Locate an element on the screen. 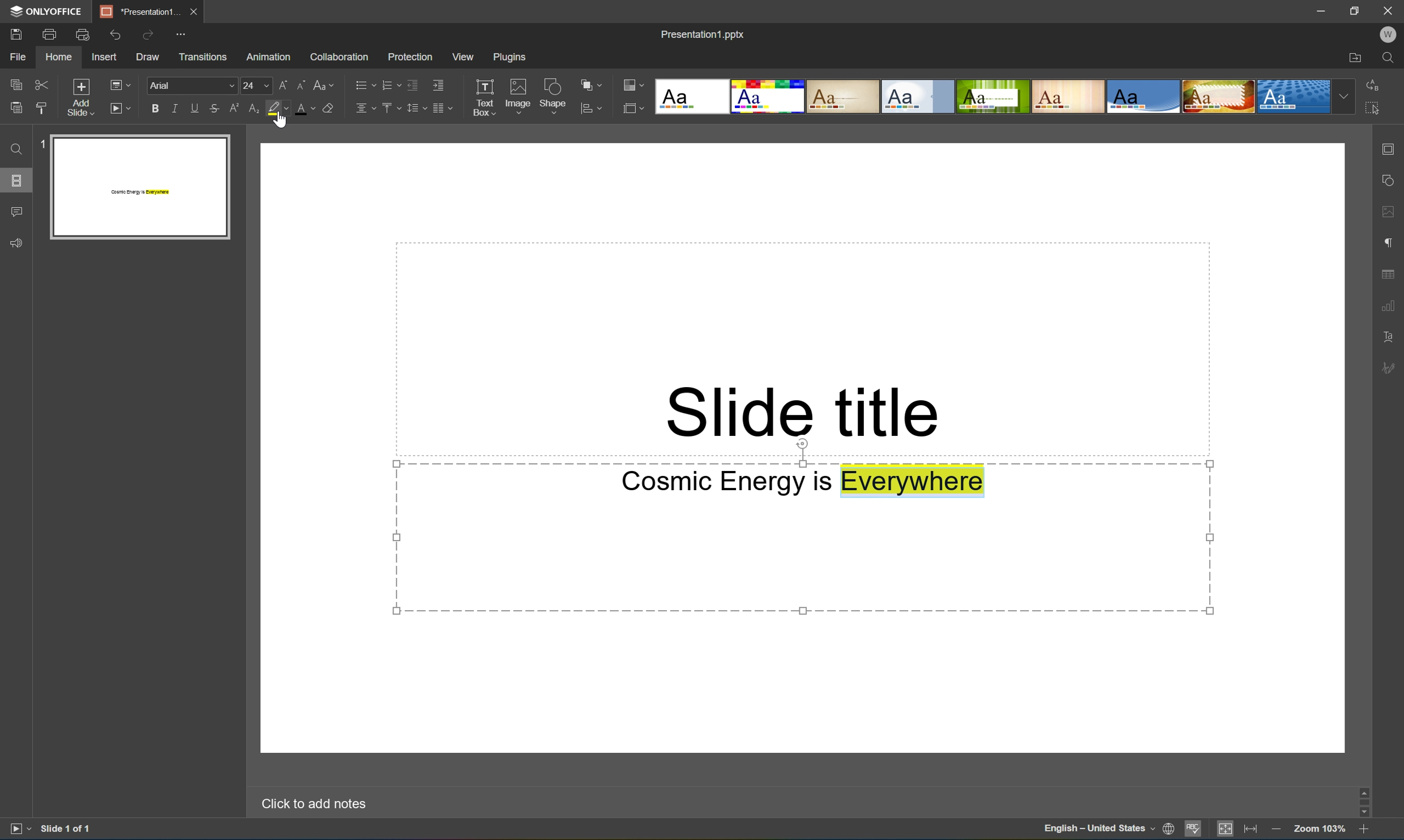 This screenshot has width=1404, height=840. Clear style is located at coordinates (328, 107).